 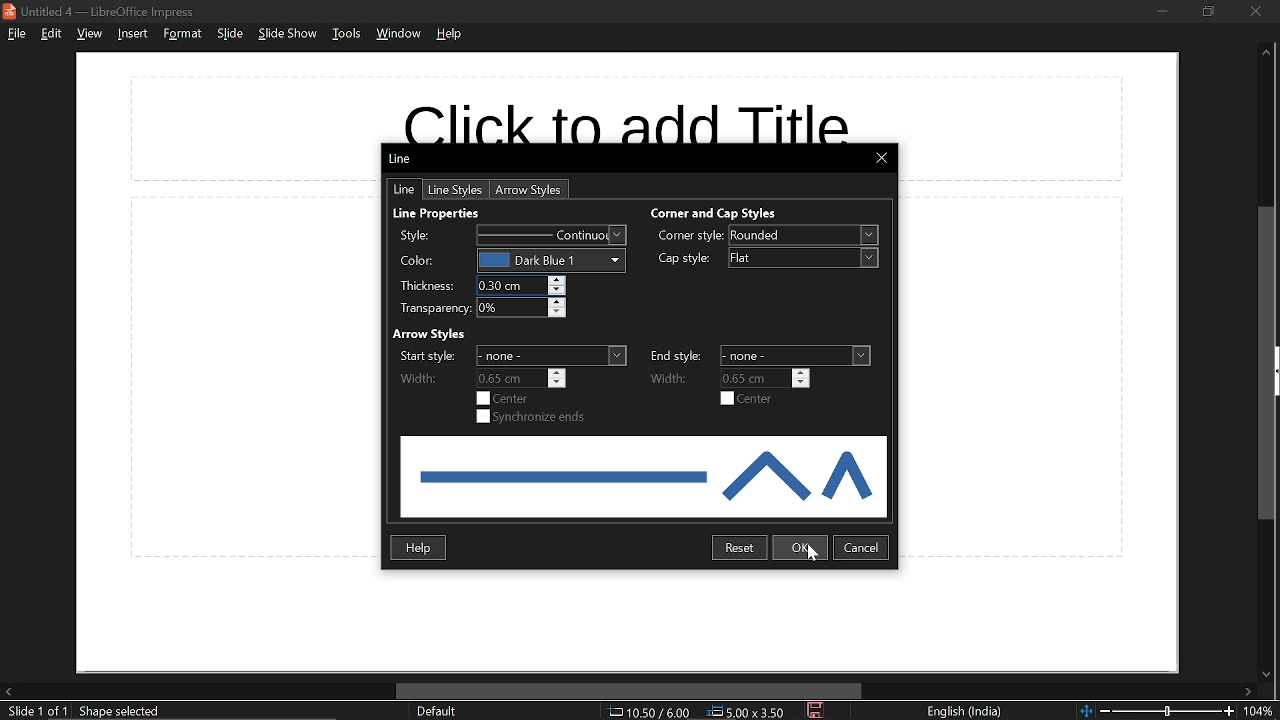 What do you see at coordinates (814, 552) in the screenshot?
I see `Cursor` at bounding box center [814, 552].